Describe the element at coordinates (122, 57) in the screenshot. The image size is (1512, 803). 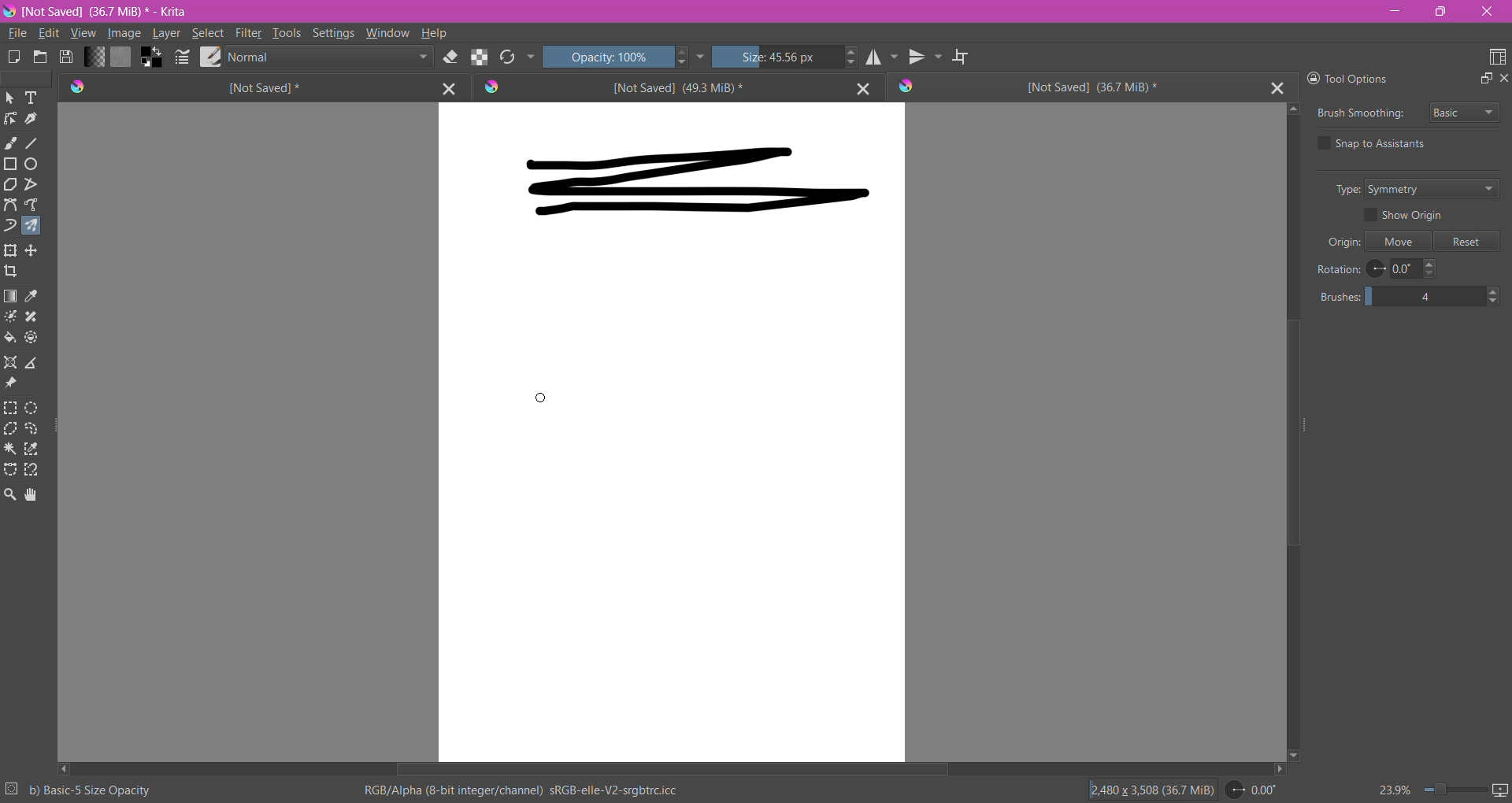
I see `Fill Patterns` at that location.